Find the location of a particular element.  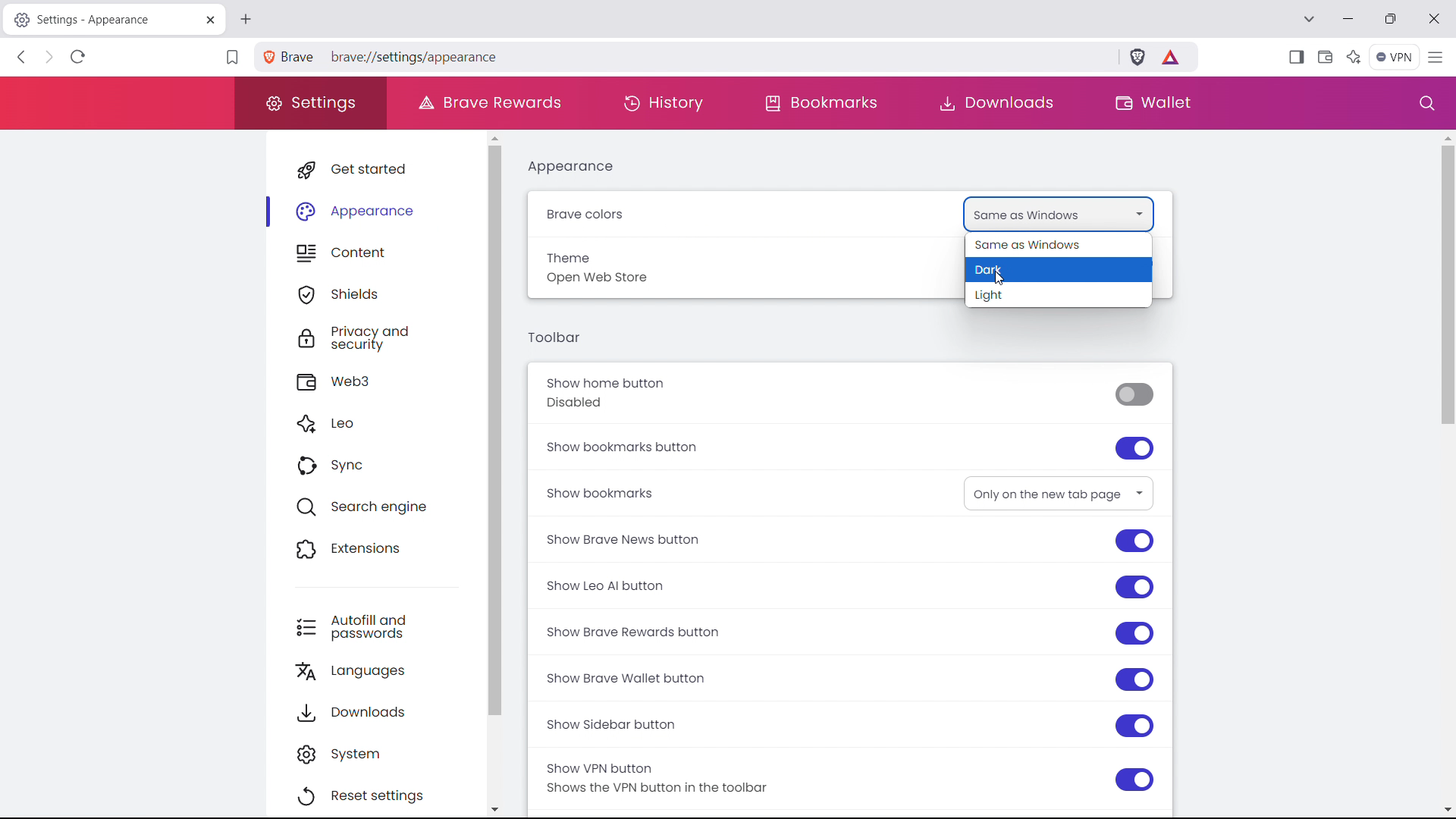

languages is located at coordinates (385, 667).